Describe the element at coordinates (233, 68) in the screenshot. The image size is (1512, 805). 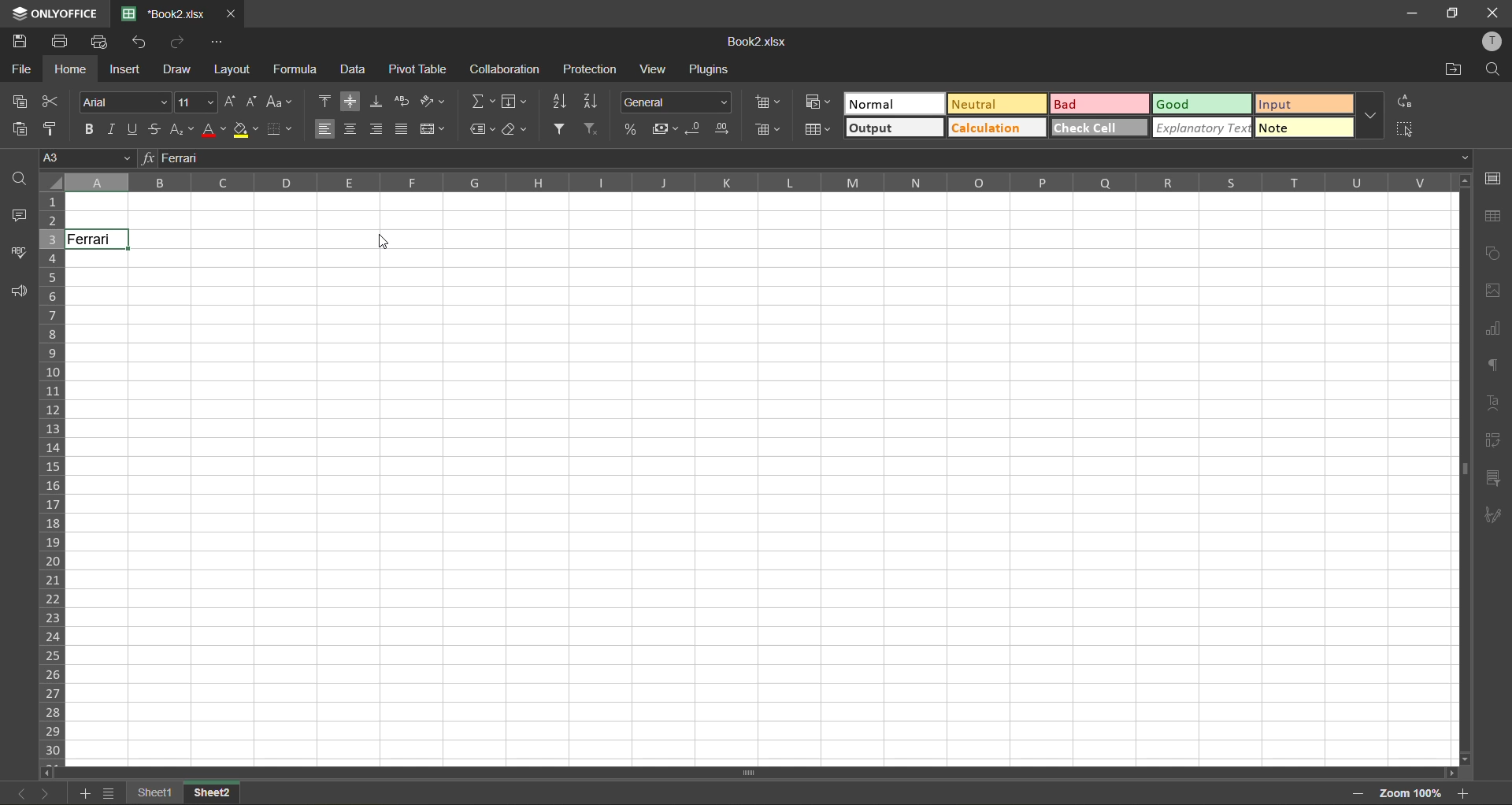
I see `layout` at that location.